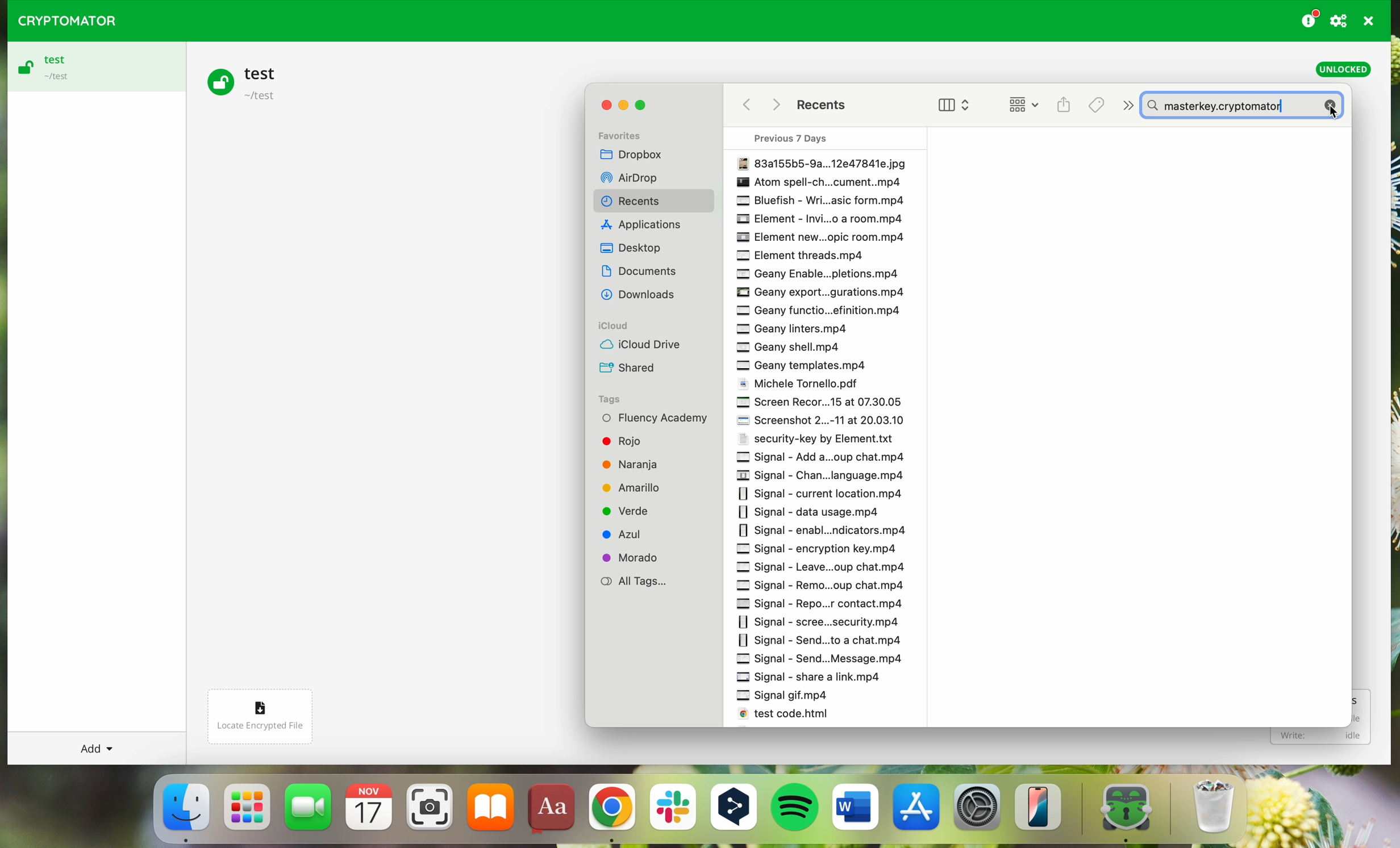 The width and height of the screenshot is (1400, 848). What do you see at coordinates (1126, 103) in the screenshot?
I see `next` at bounding box center [1126, 103].